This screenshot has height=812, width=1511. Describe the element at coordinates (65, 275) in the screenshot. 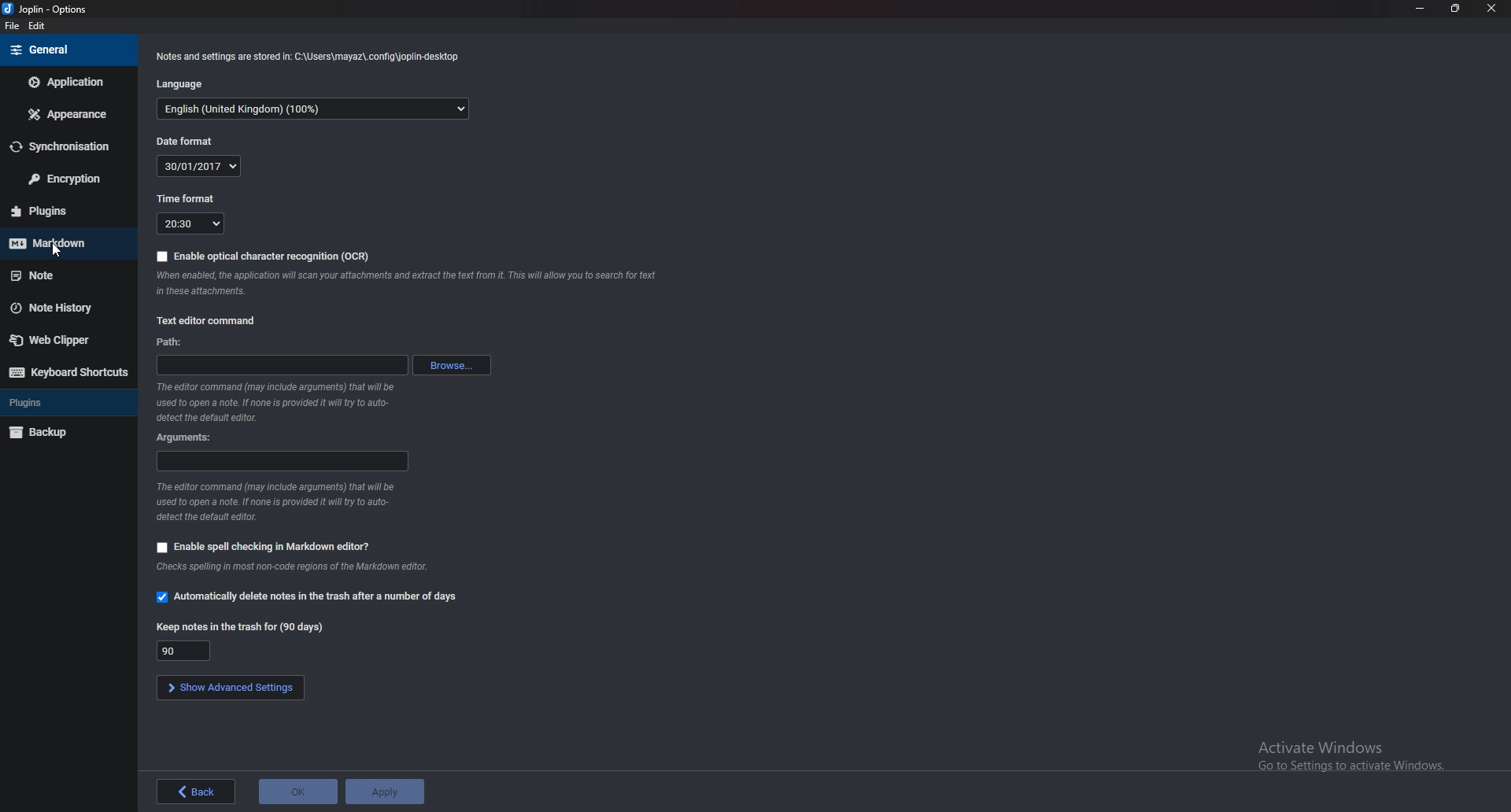

I see `note` at that location.